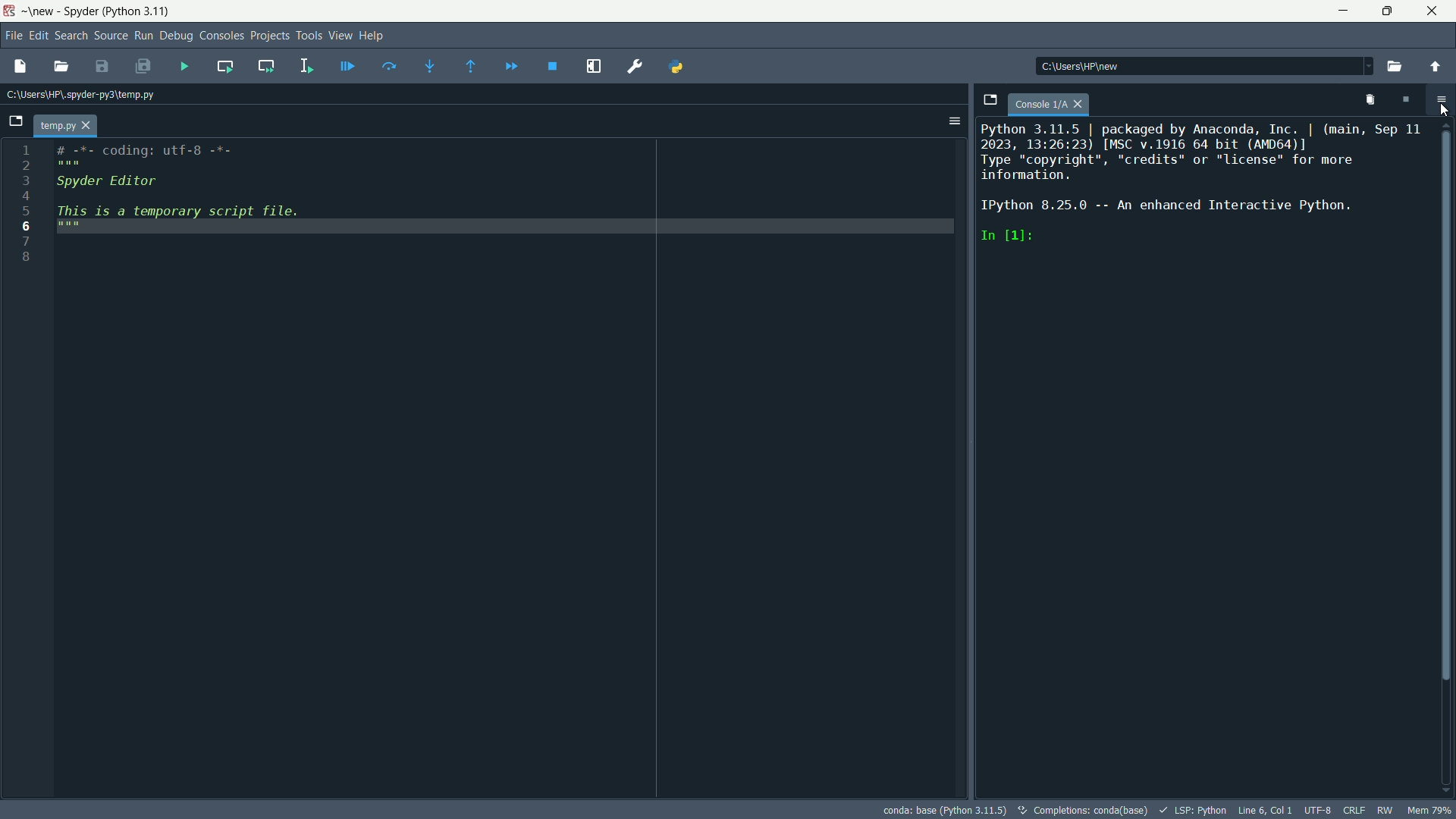  What do you see at coordinates (65, 66) in the screenshot?
I see `open file` at bounding box center [65, 66].